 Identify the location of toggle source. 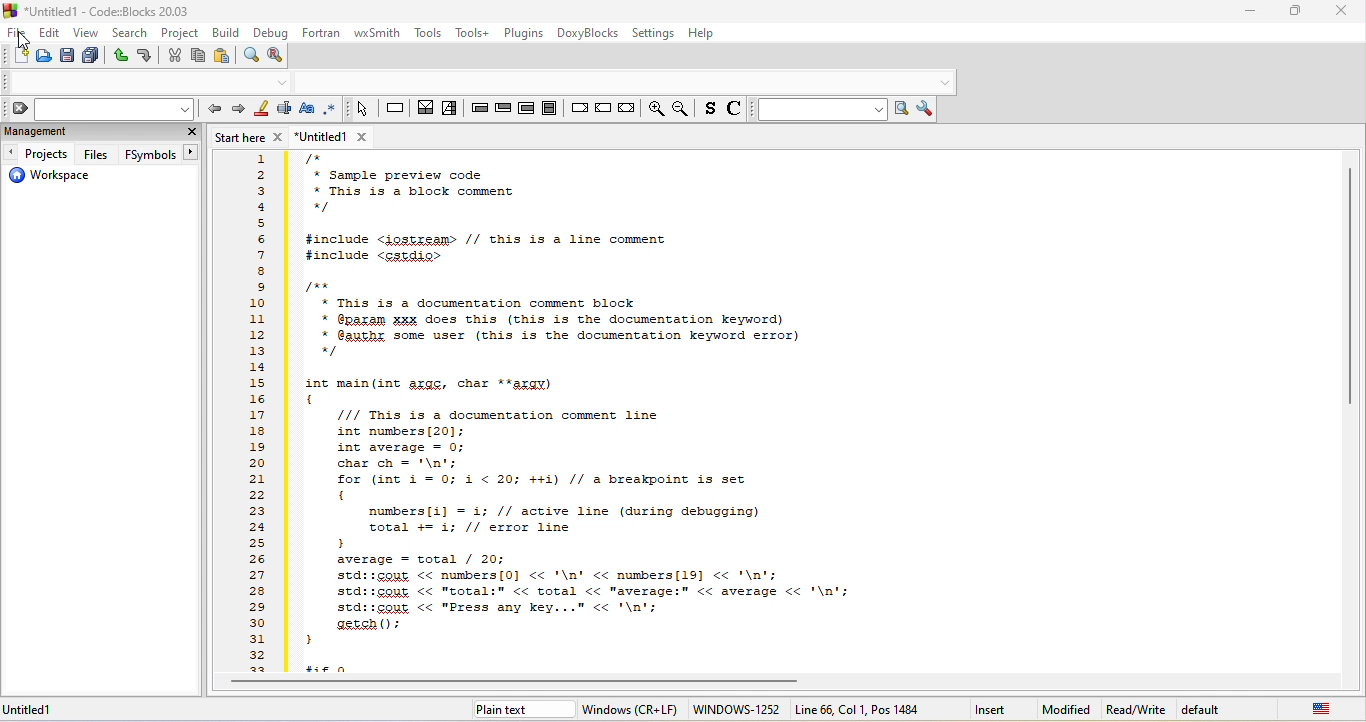
(734, 111).